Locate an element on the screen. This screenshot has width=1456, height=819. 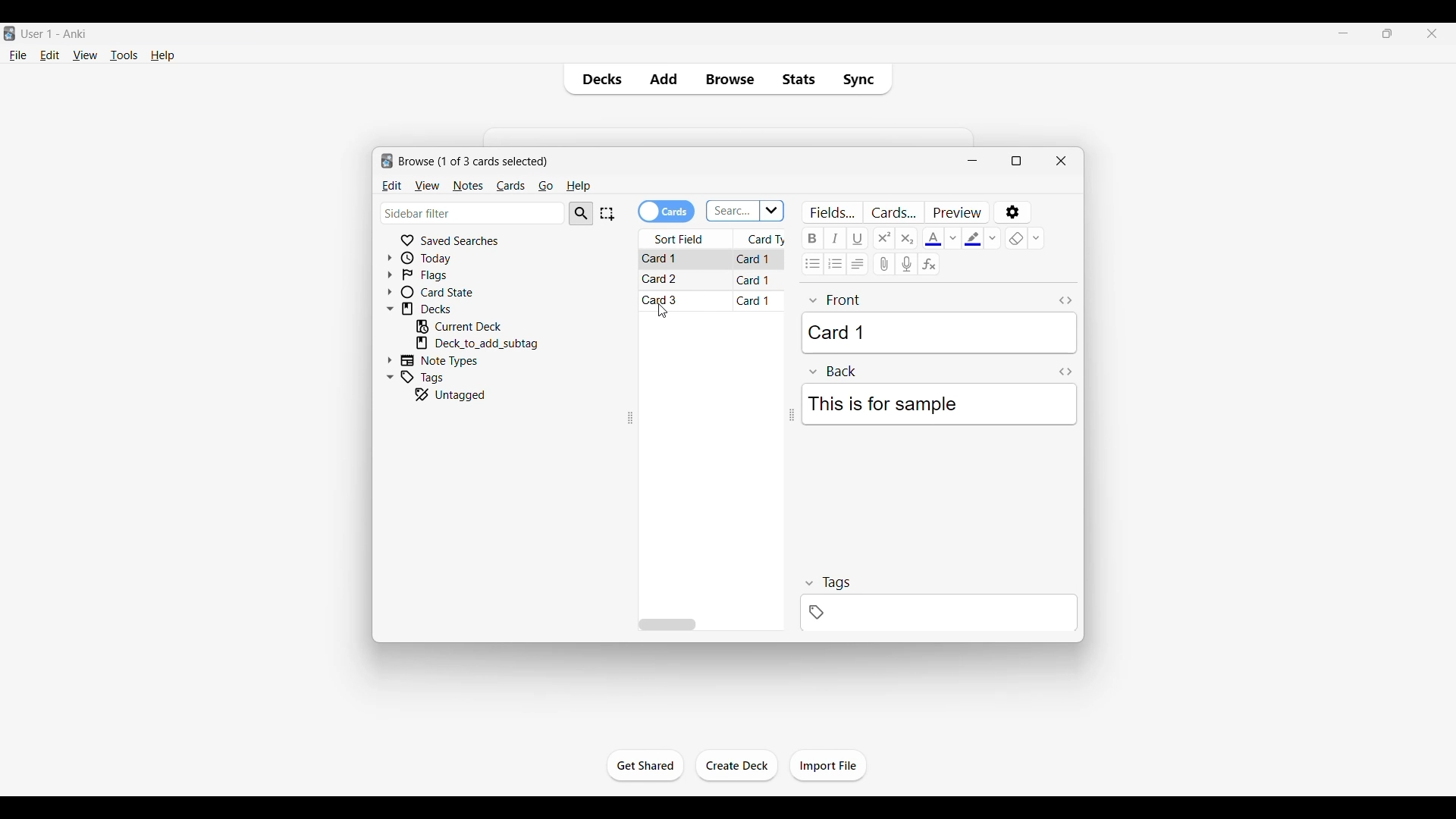
Remove formatting options is located at coordinates (1036, 238).